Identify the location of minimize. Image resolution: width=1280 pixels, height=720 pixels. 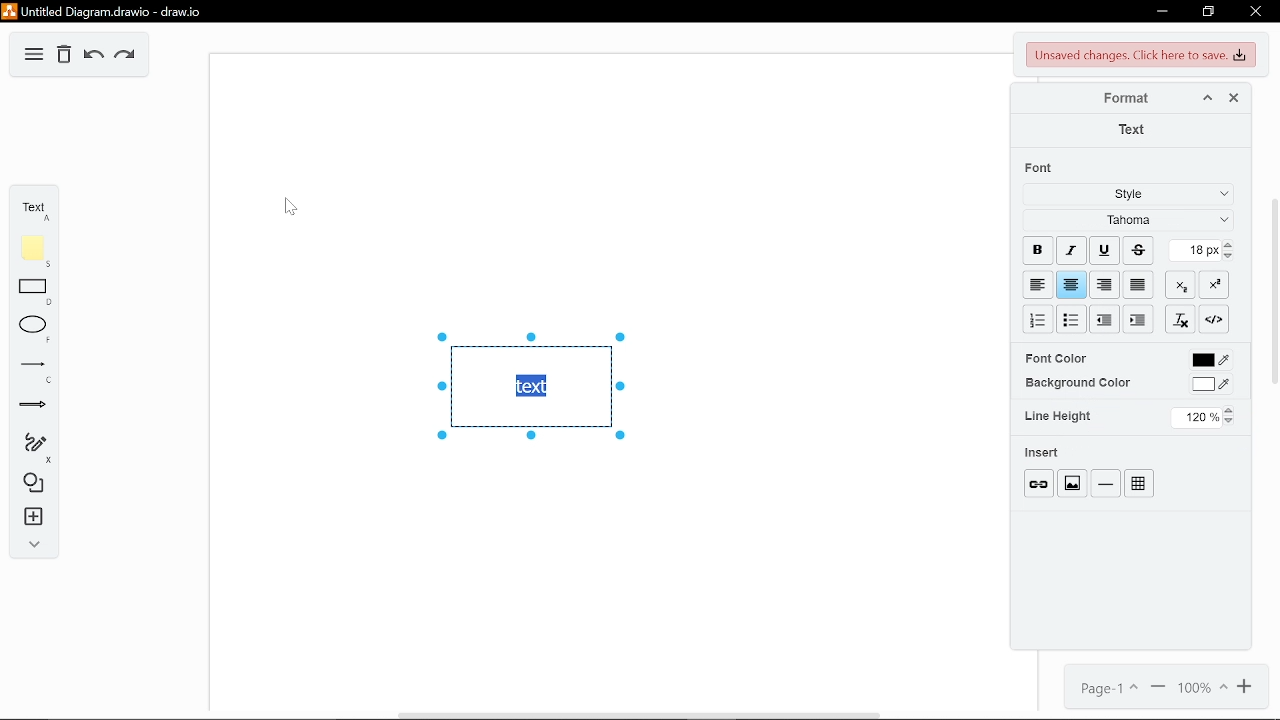
(1159, 12).